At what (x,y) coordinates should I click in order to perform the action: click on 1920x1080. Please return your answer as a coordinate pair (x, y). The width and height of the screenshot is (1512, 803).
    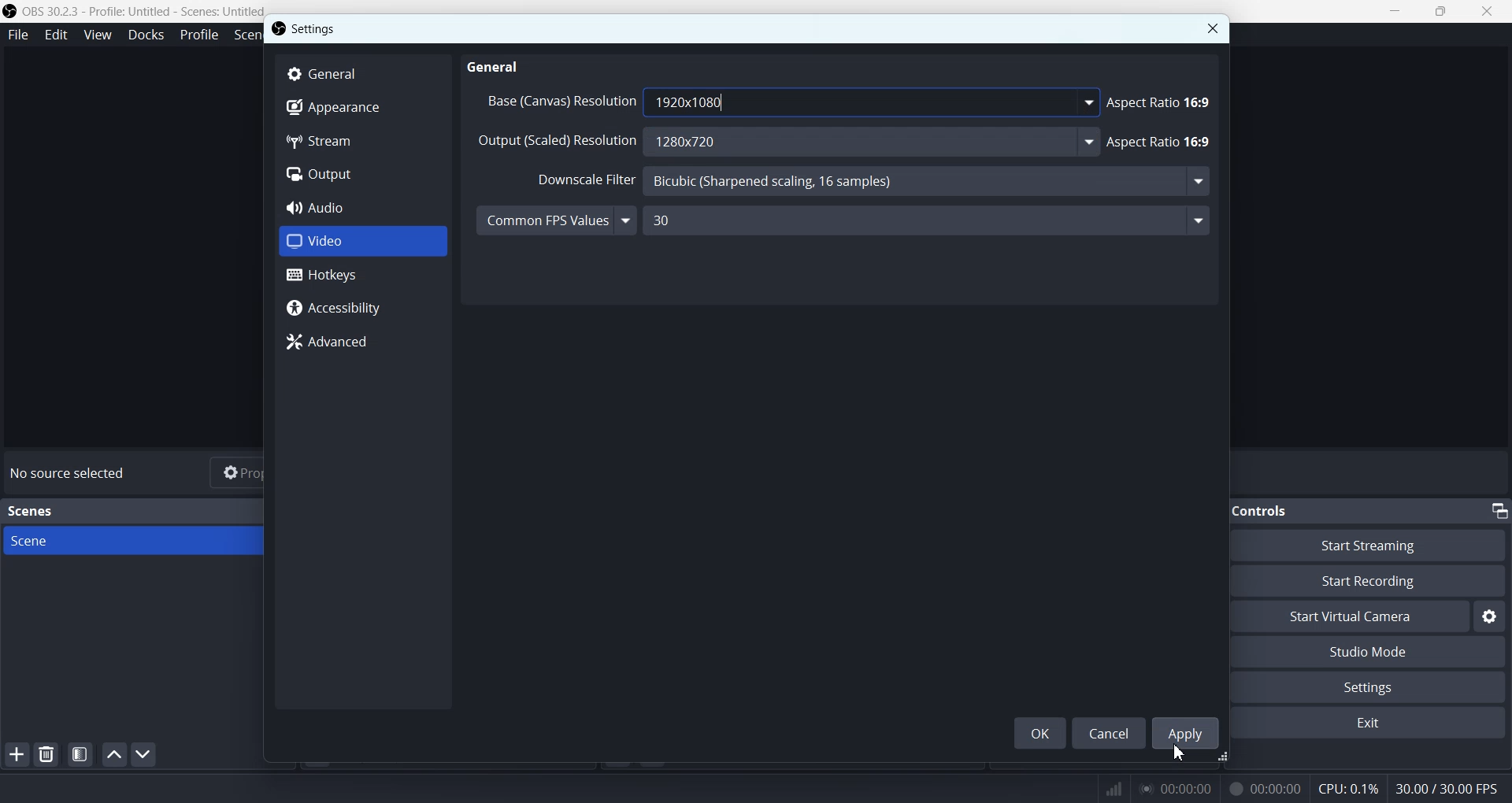
    Looking at the image, I should click on (873, 102).